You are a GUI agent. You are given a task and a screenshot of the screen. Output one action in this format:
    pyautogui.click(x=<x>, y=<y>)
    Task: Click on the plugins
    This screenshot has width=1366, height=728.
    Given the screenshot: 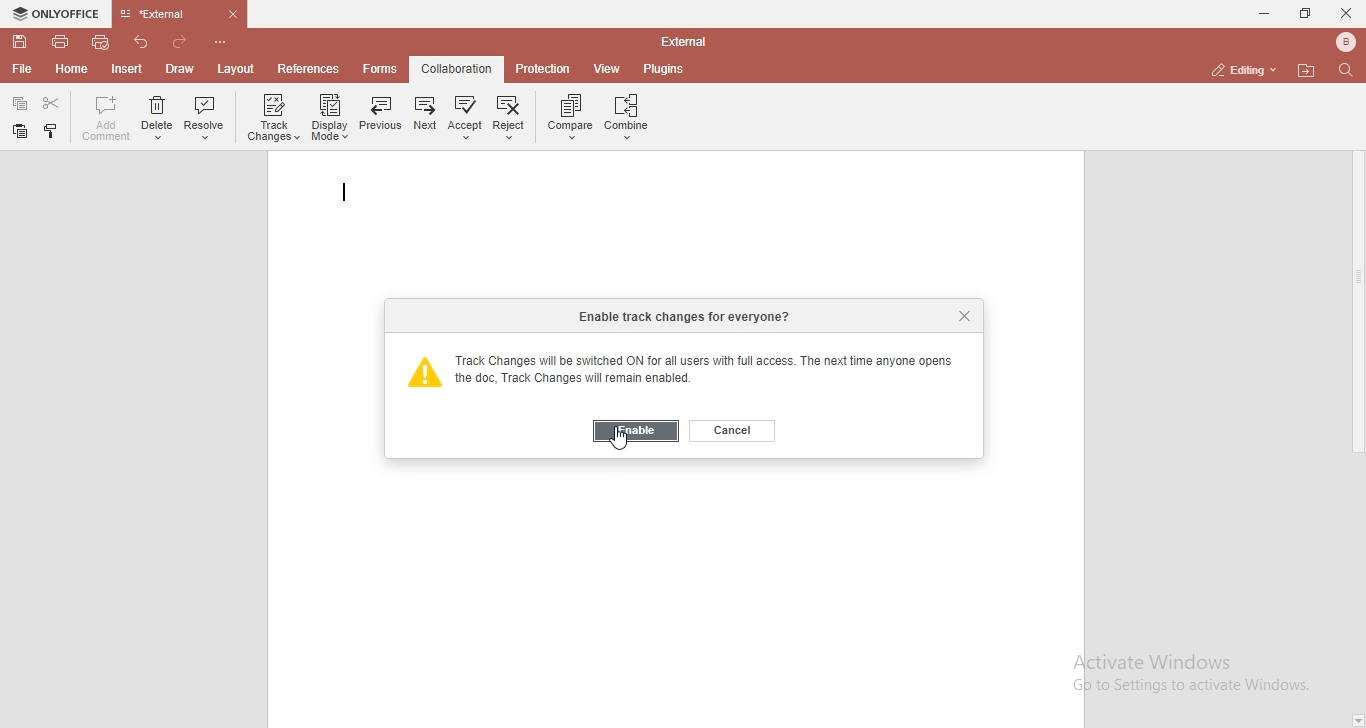 What is the action you would take?
    pyautogui.click(x=664, y=70)
    